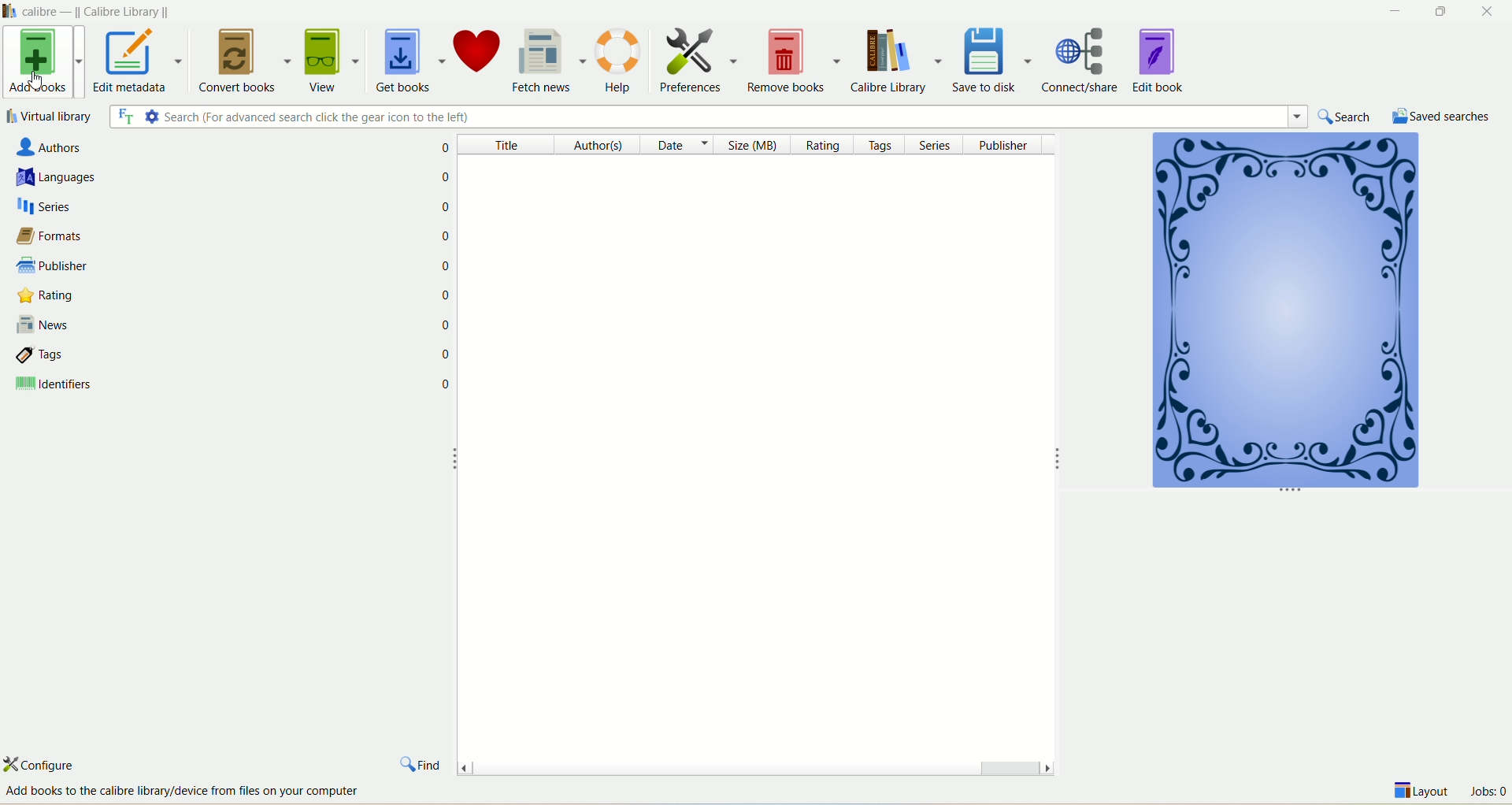 This screenshot has height=805, width=1512. What do you see at coordinates (828, 146) in the screenshot?
I see `rating` at bounding box center [828, 146].